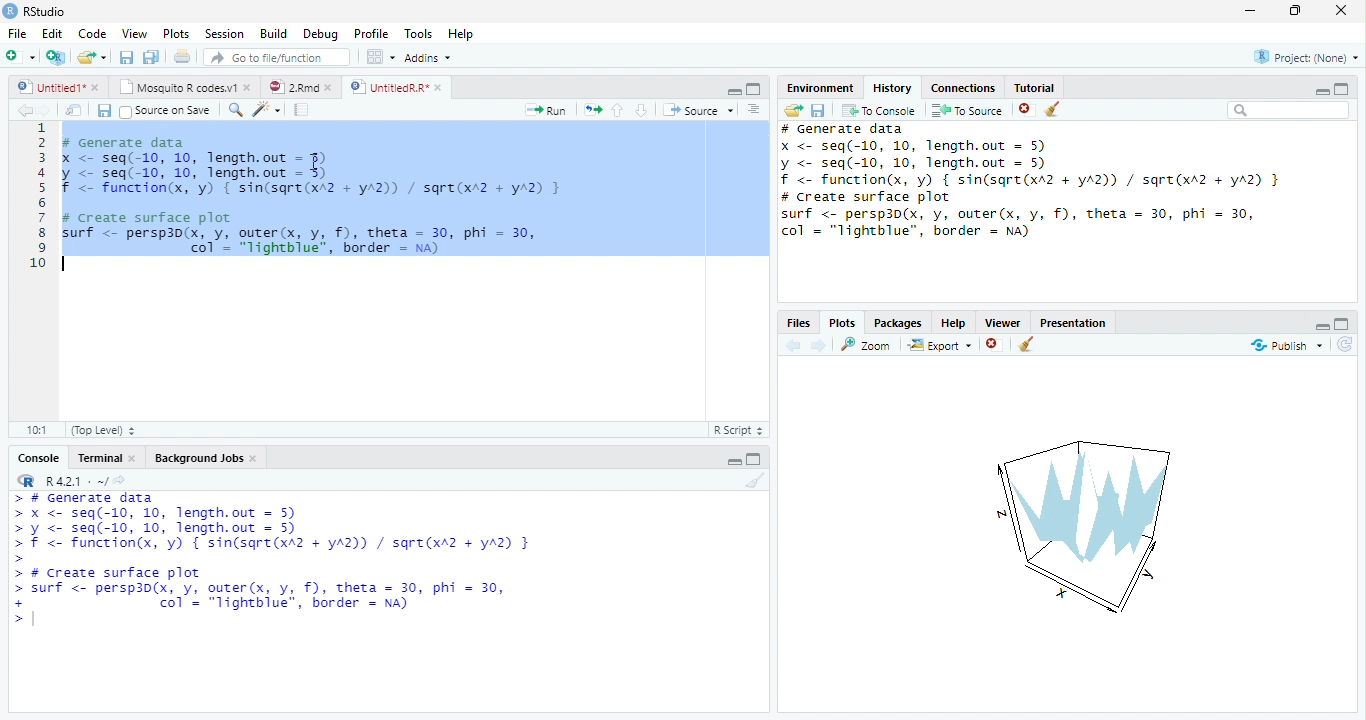 Image resolution: width=1366 pixels, height=720 pixels. Describe the element at coordinates (104, 57) in the screenshot. I see `Open recent files` at that location.